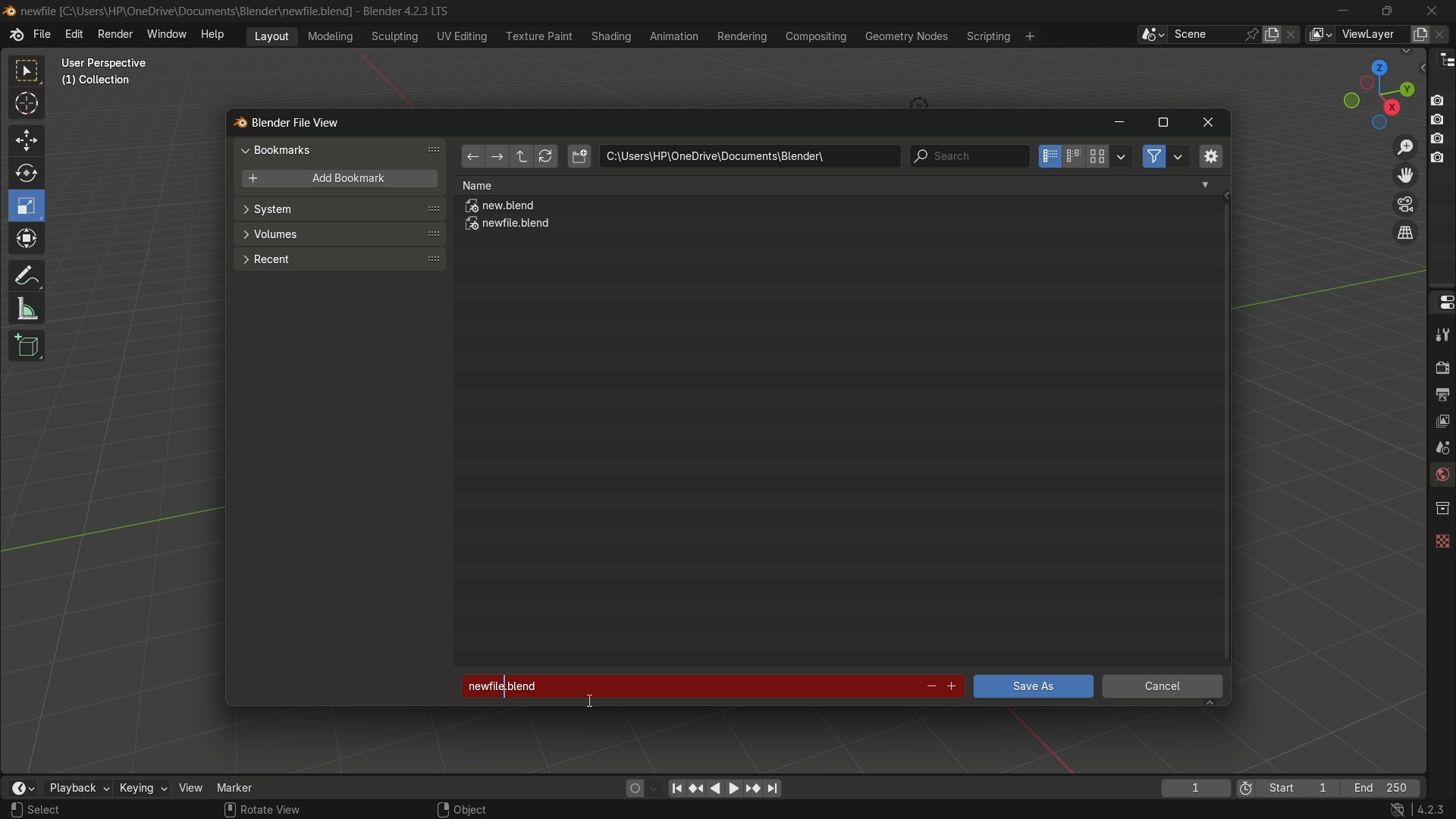  I want to click on text Cursor, so click(591, 703).